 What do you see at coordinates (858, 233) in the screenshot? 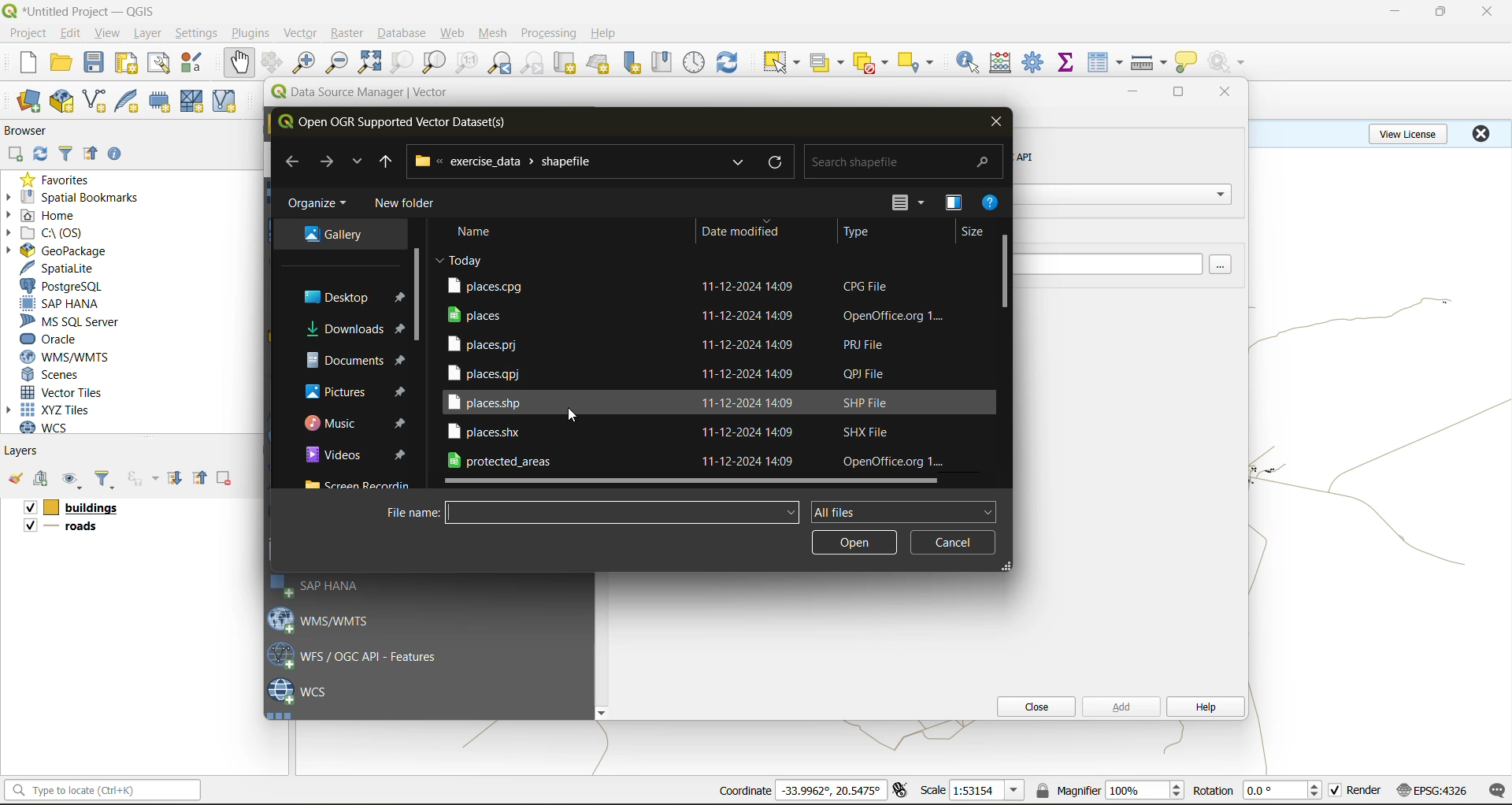
I see `type` at bounding box center [858, 233].